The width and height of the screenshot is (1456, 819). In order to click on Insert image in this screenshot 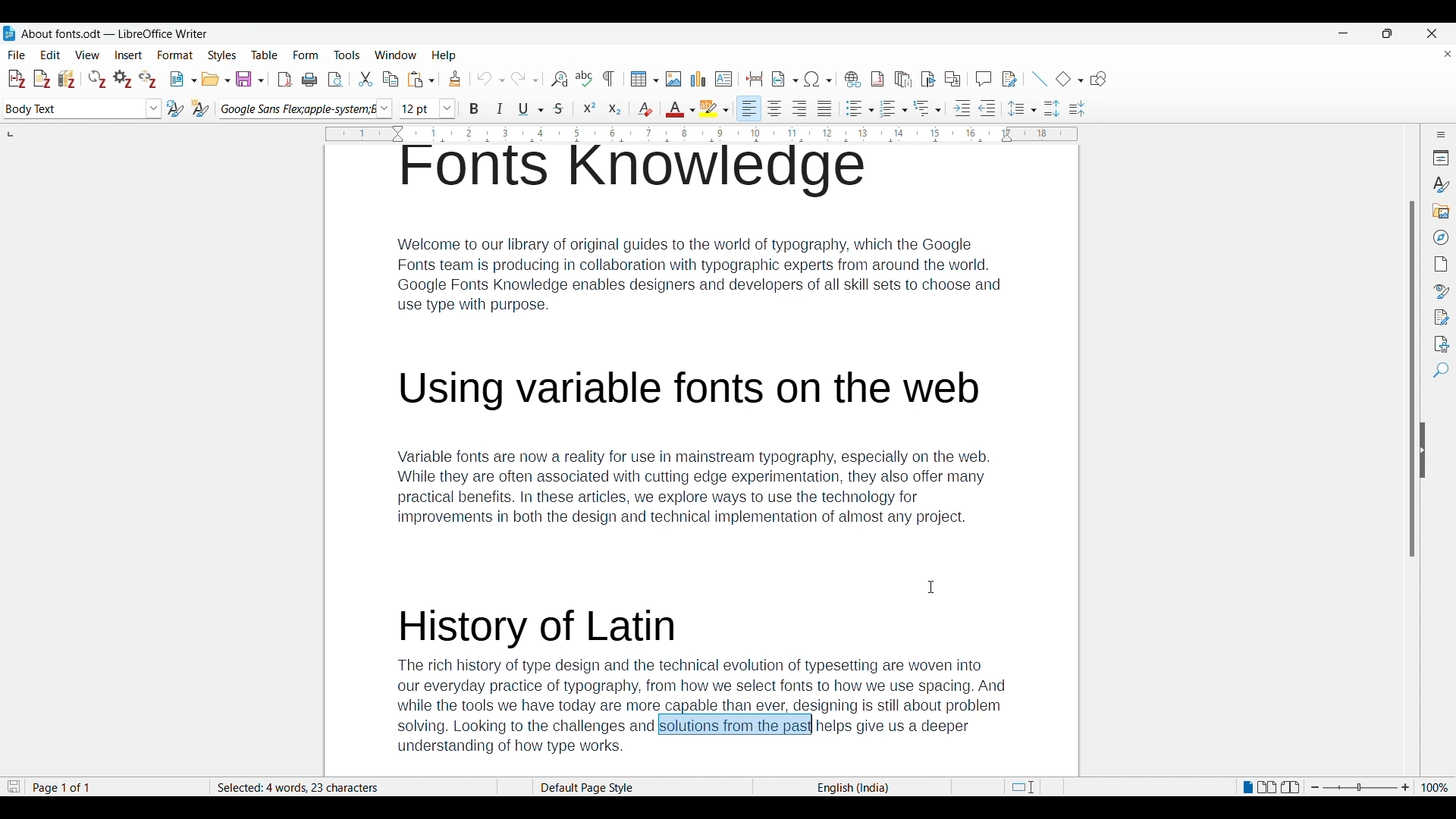, I will do `click(673, 79)`.